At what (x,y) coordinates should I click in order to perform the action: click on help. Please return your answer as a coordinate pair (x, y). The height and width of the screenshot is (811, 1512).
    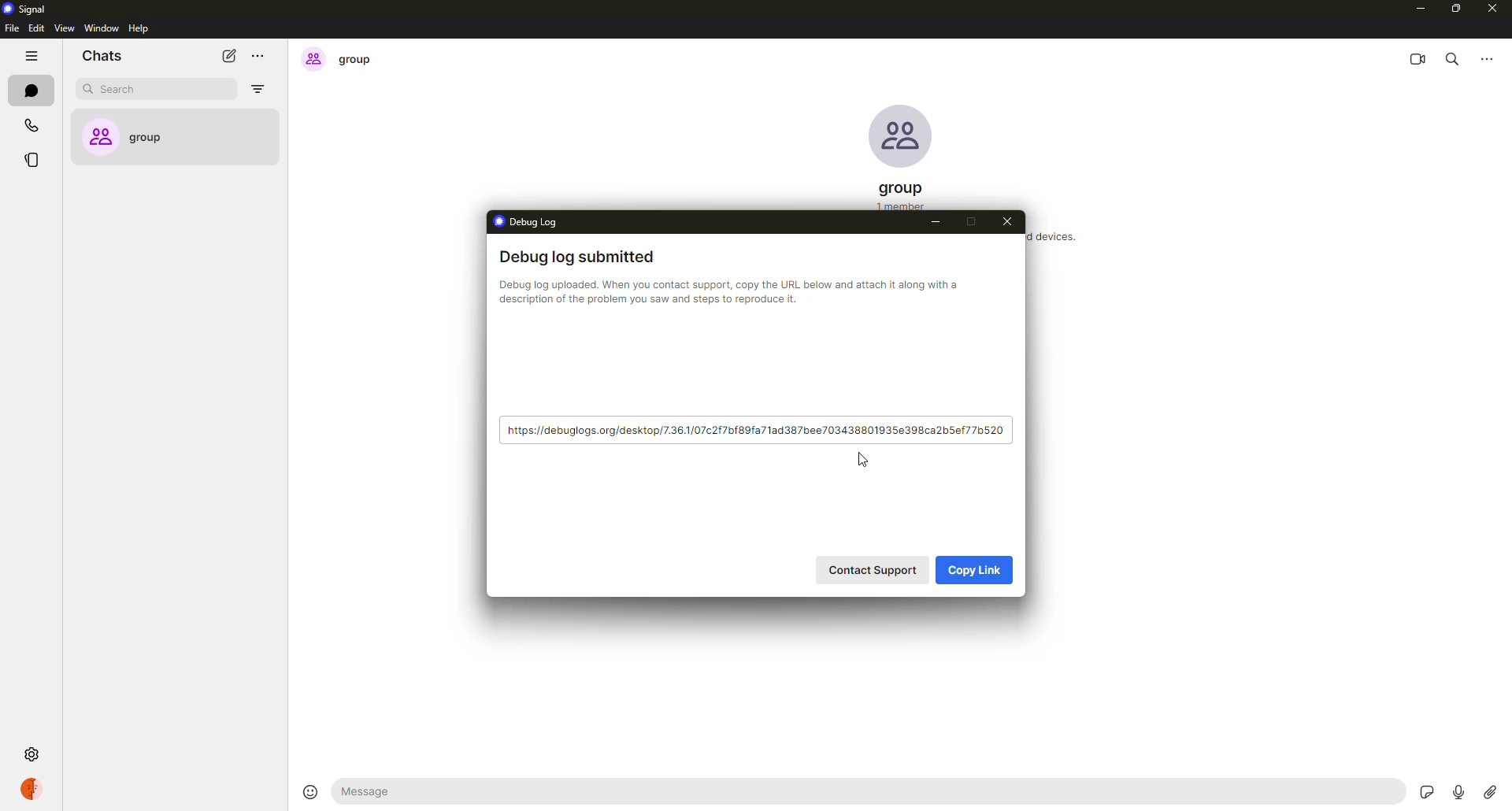
    Looking at the image, I should click on (138, 29).